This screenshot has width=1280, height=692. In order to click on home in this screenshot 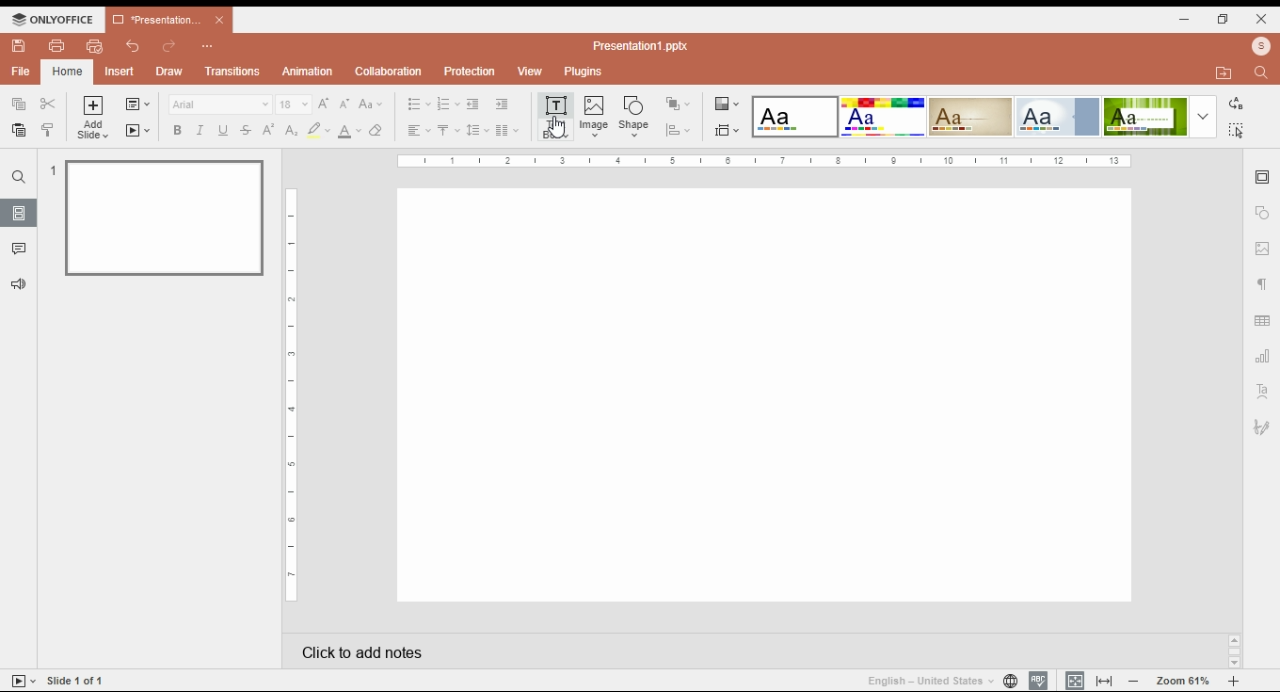, I will do `click(66, 71)`.